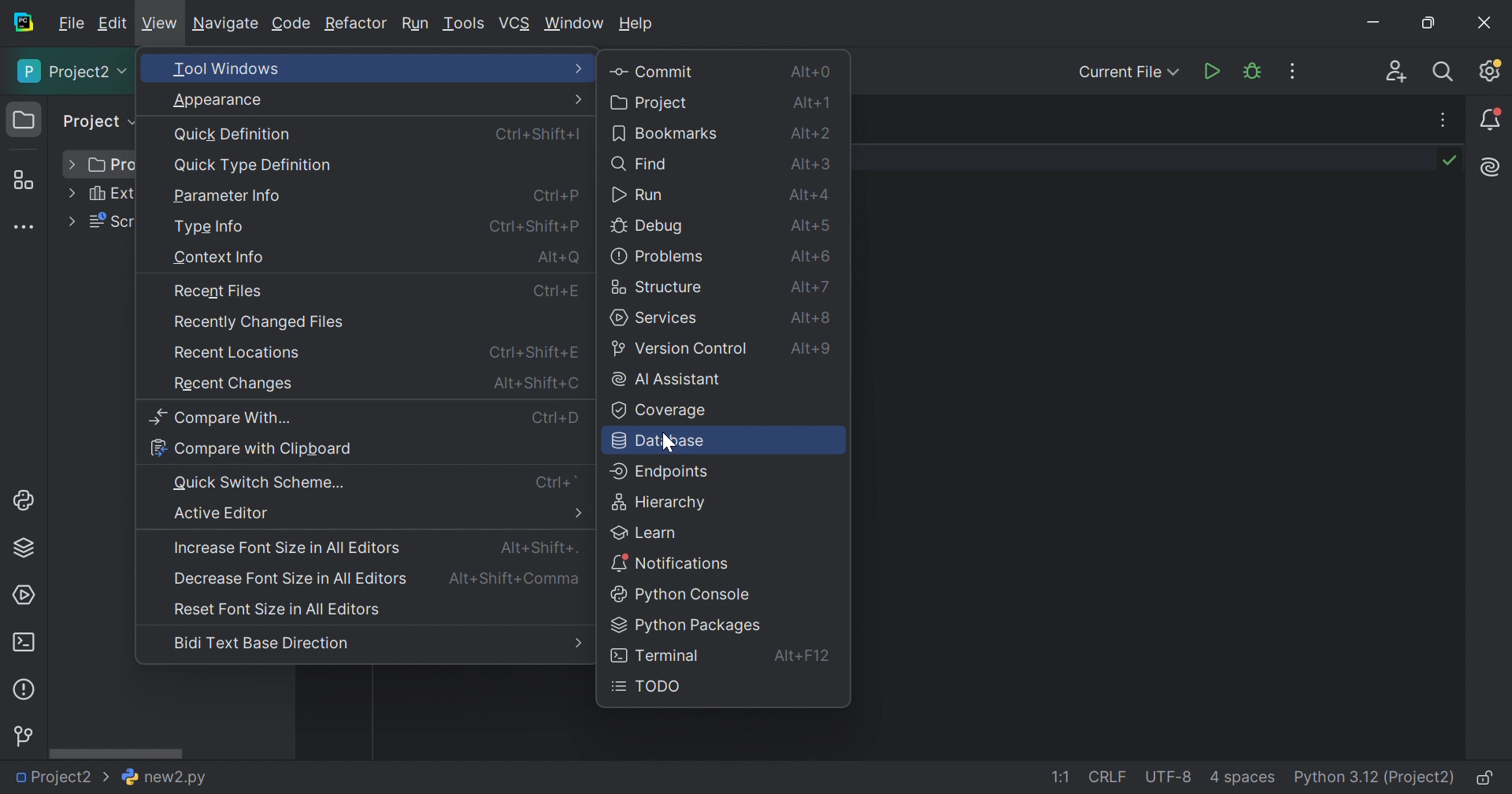 The image size is (1512, 794). I want to click on PyCharm, so click(23, 24).